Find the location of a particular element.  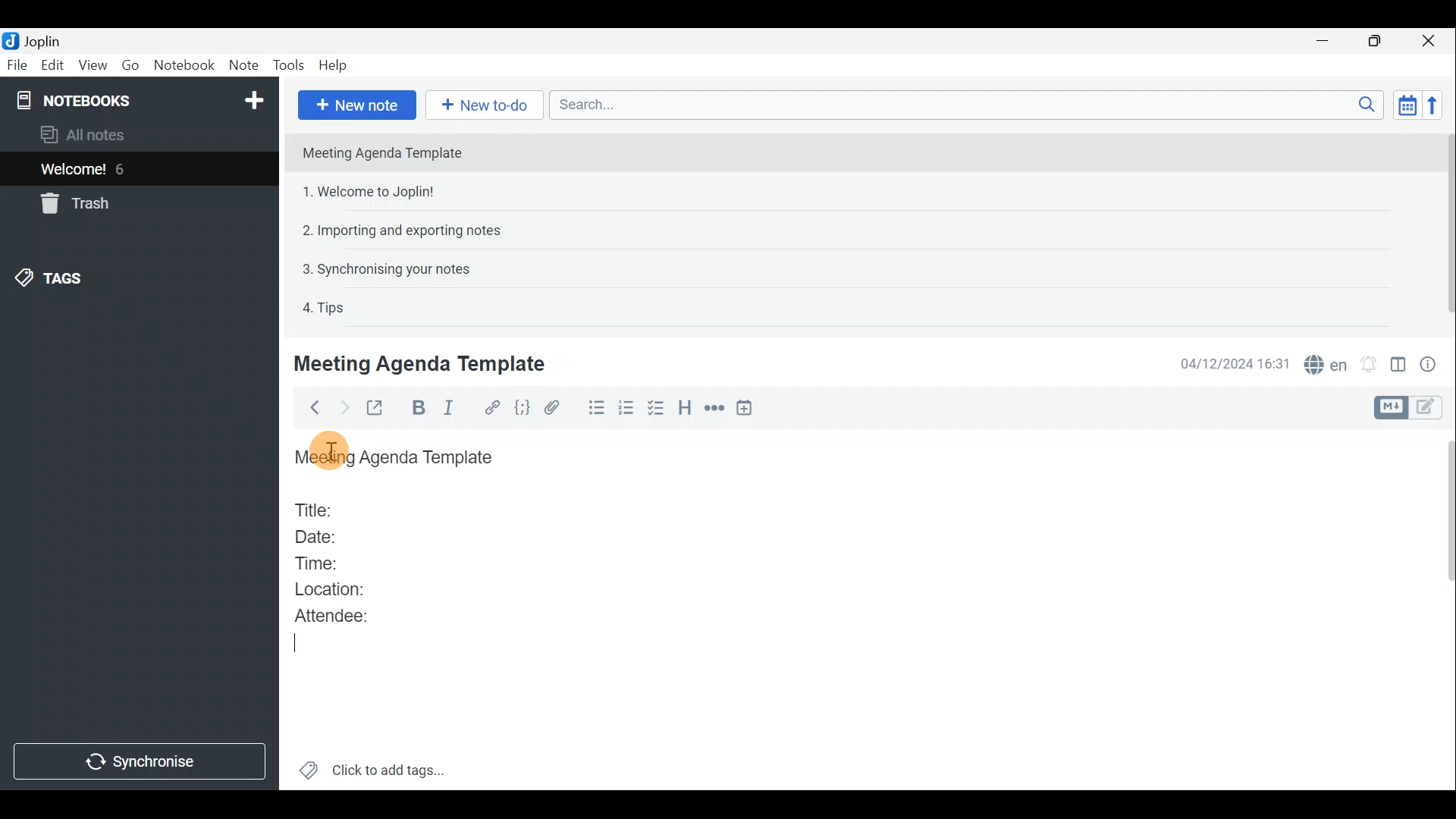

Search bar is located at coordinates (962, 104).